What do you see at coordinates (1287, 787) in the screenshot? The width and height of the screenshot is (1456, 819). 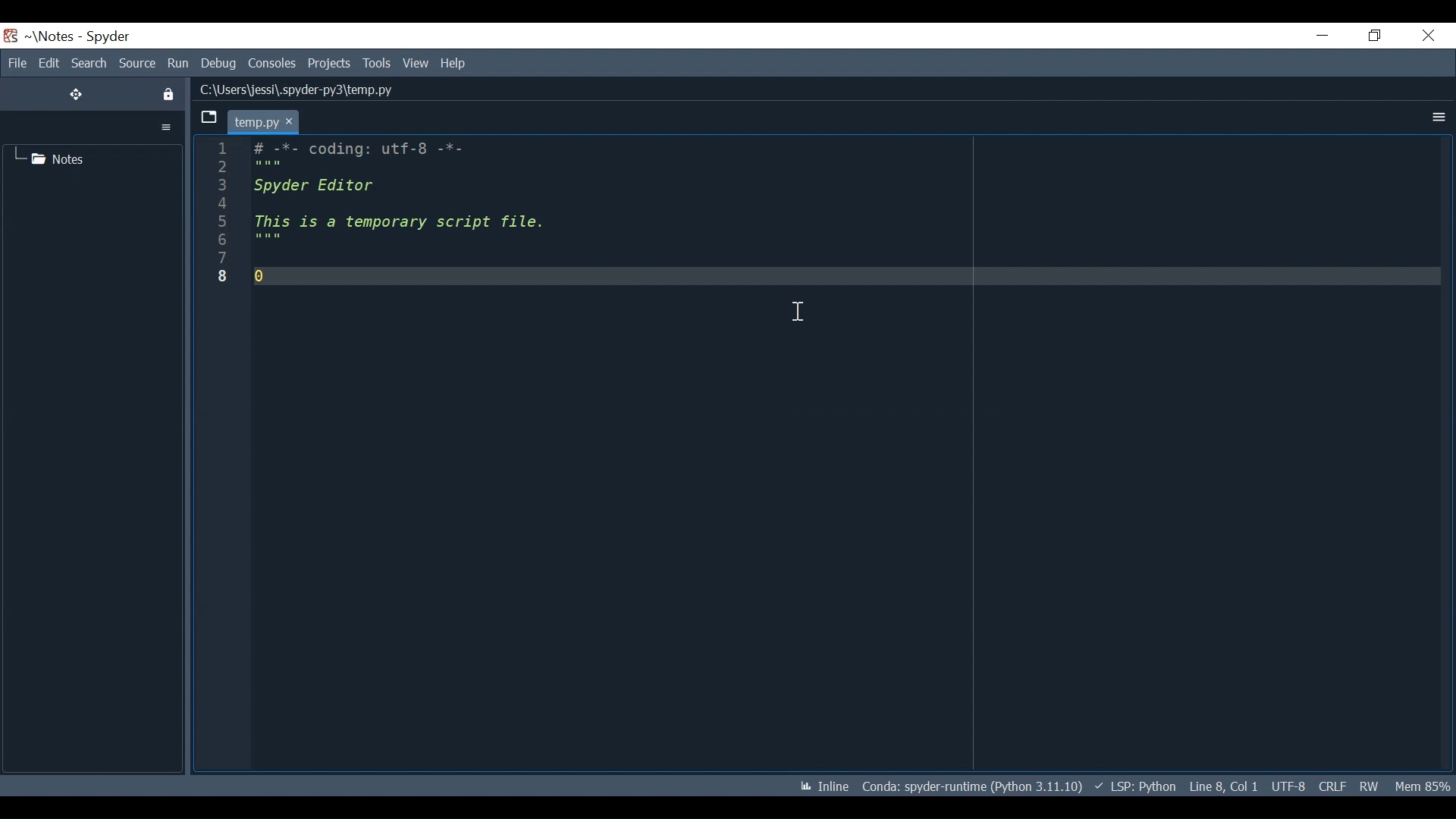 I see `UTF-8` at bounding box center [1287, 787].